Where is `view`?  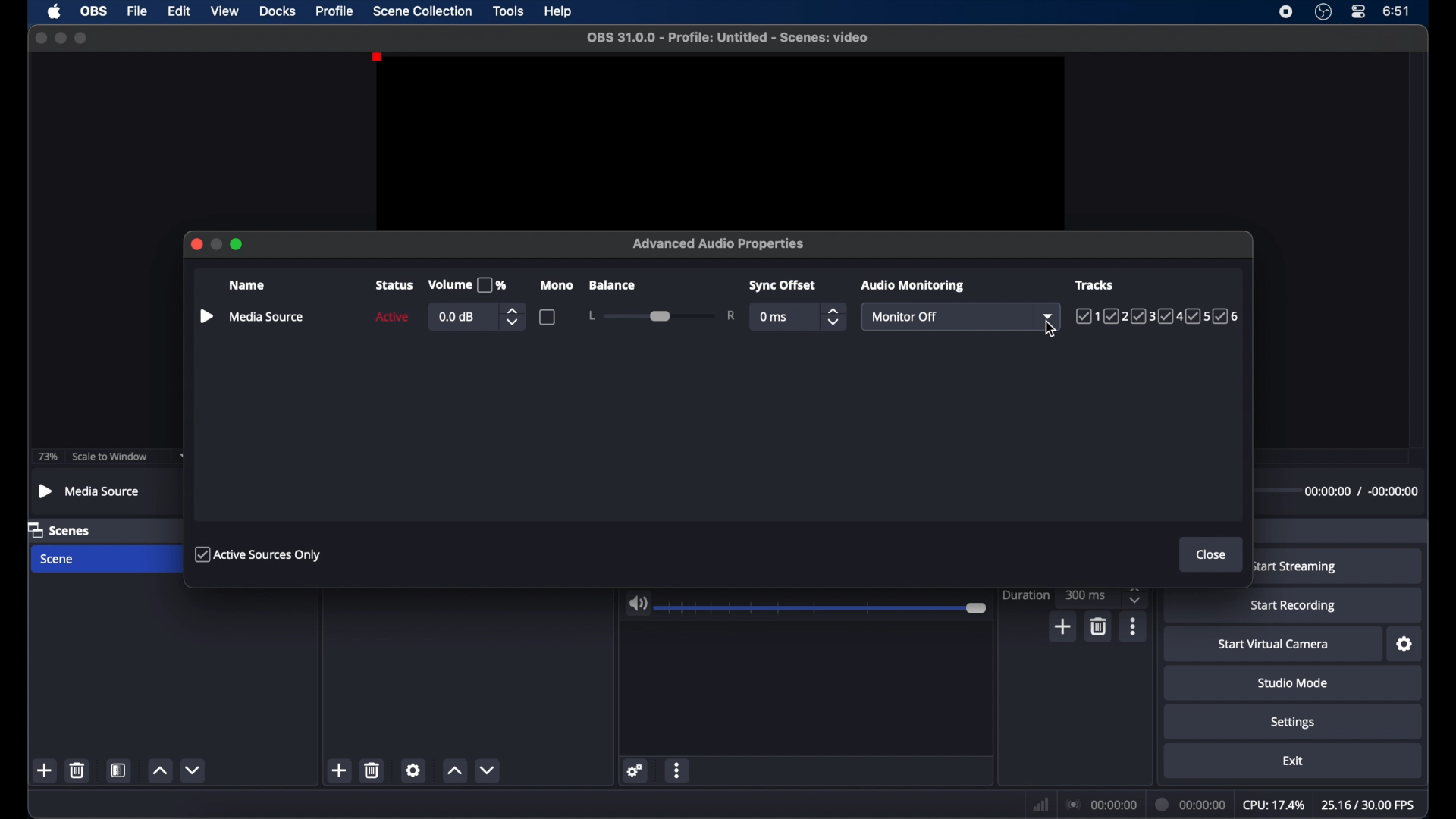
view is located at coordinates (224, 12).